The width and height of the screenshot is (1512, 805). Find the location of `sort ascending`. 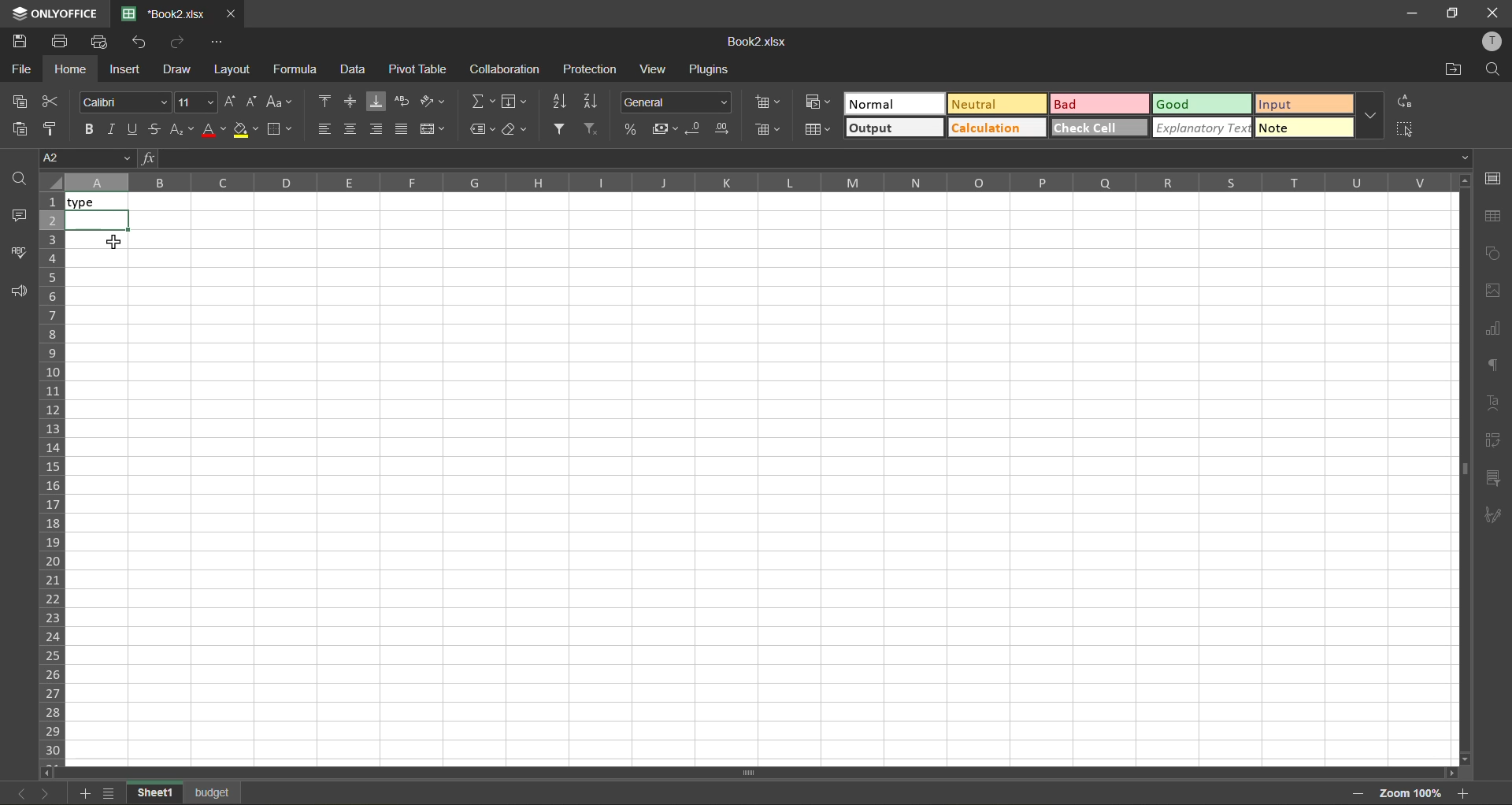

sort ascending is located at coordinates (562, 100).